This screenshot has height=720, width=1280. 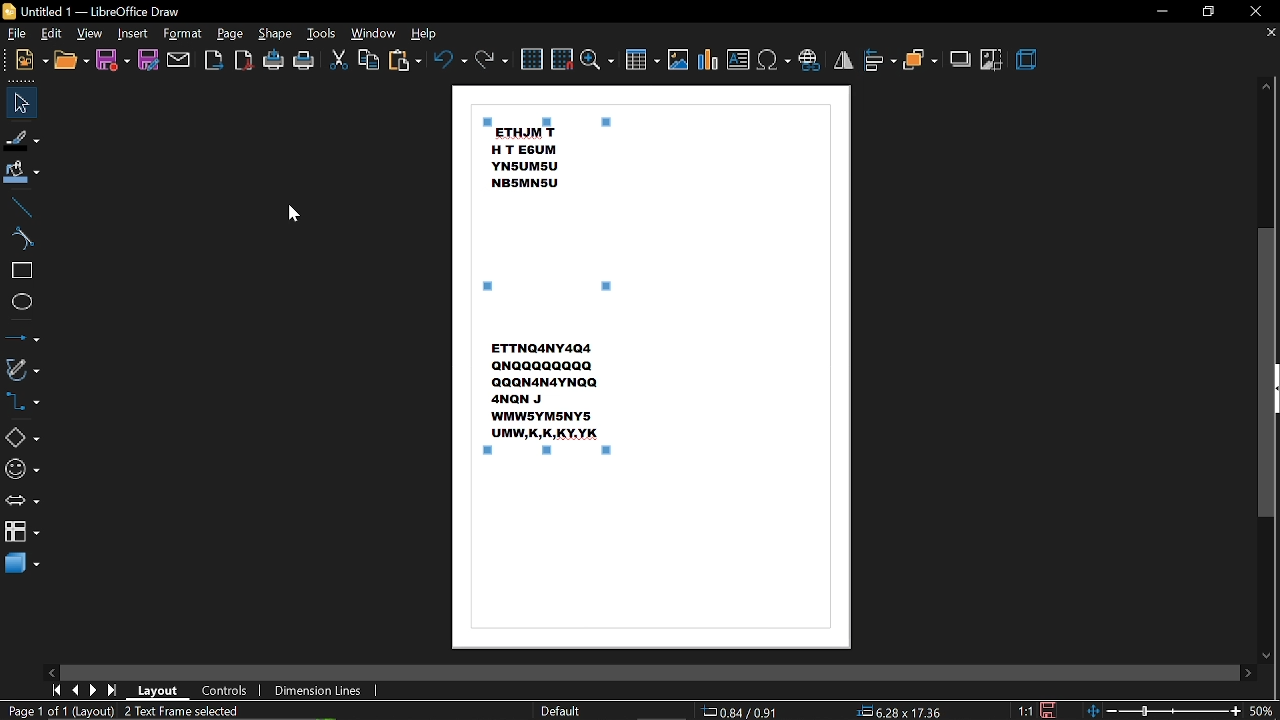 What do you see at coordinates (24, 369) in the screenshot?
I see `curves and polygons` at bounding box center [24, 369].